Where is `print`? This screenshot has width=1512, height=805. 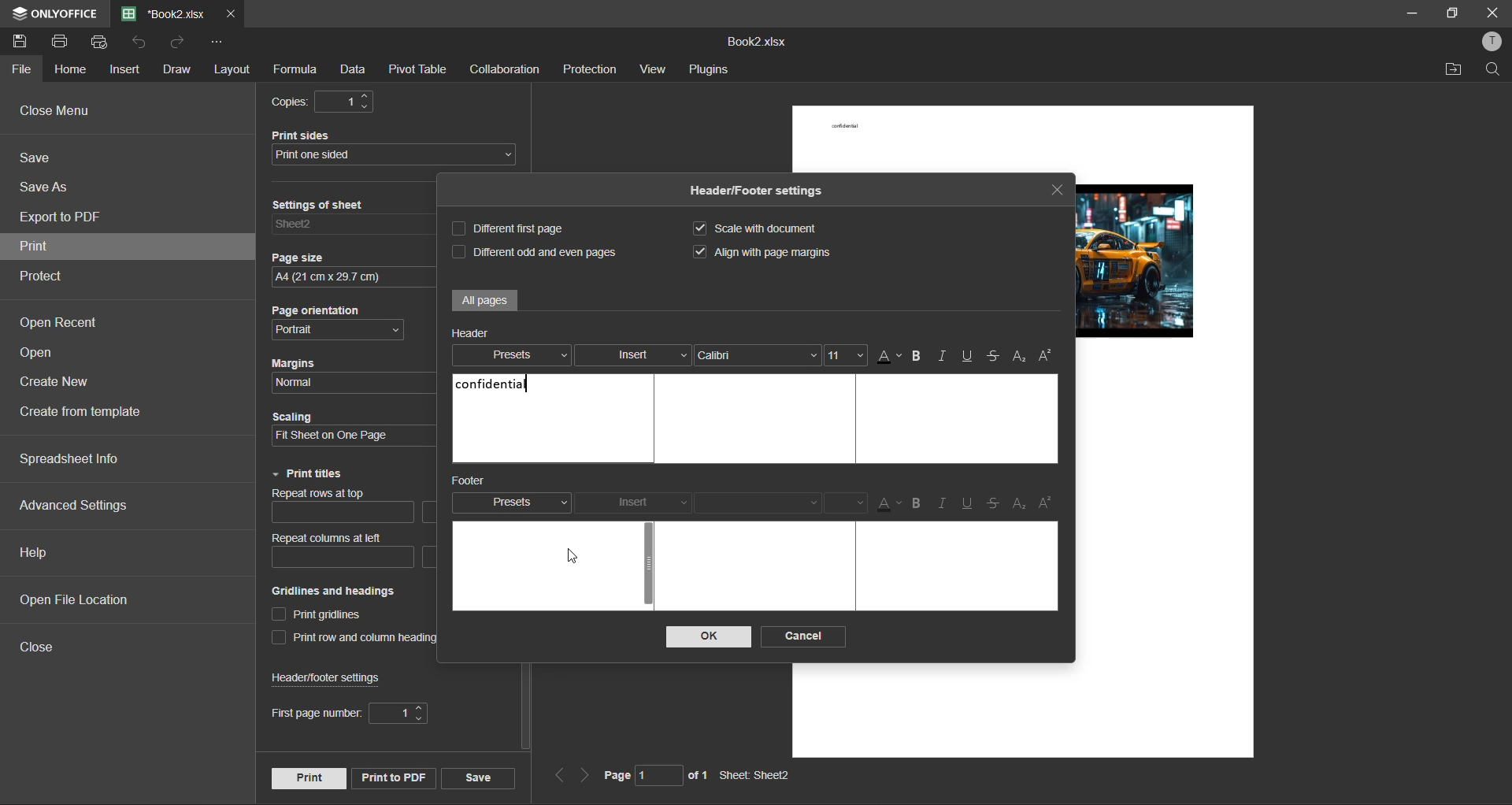
print is located at coordinates (34, 247).